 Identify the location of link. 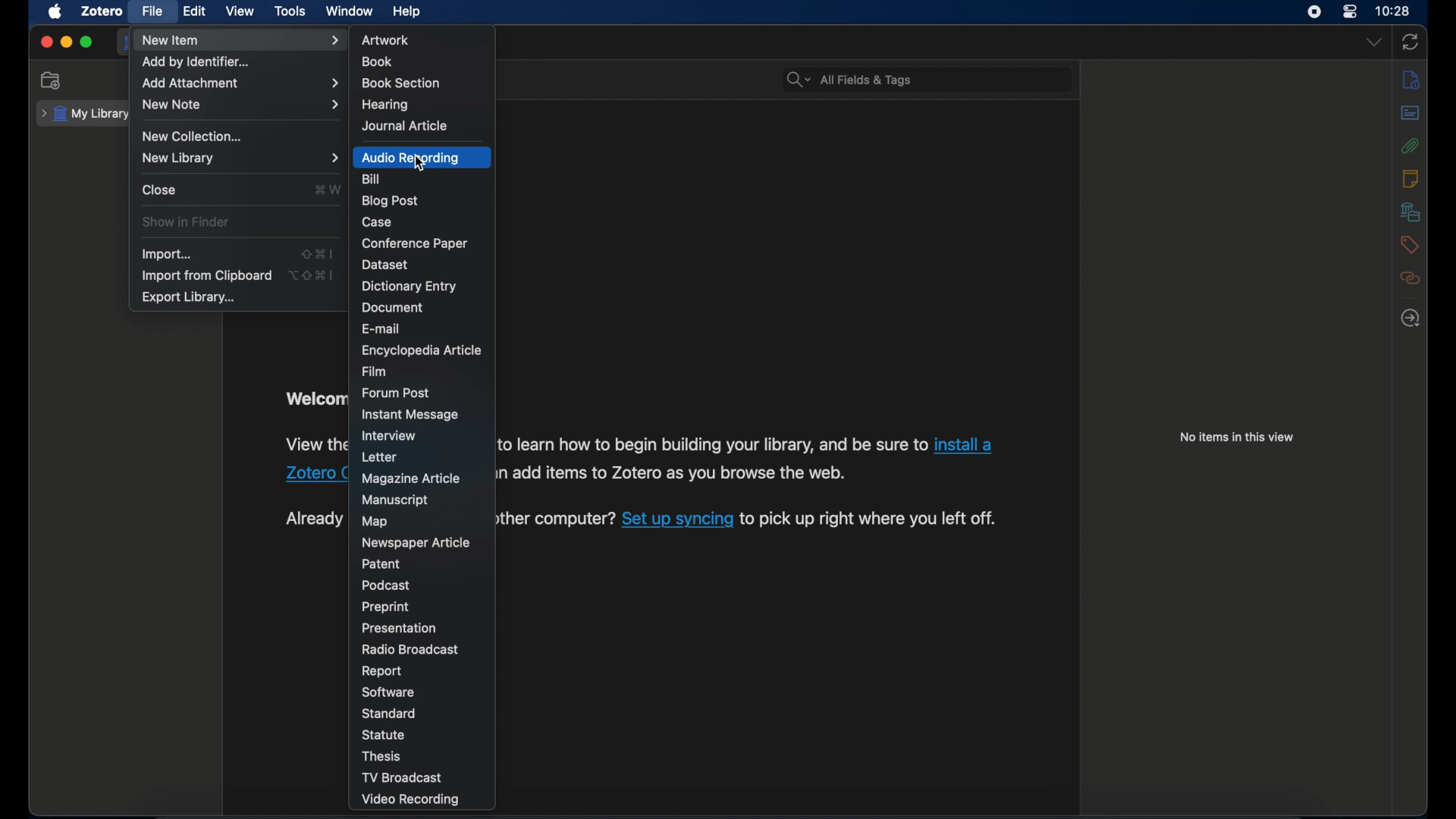
(964, 444).